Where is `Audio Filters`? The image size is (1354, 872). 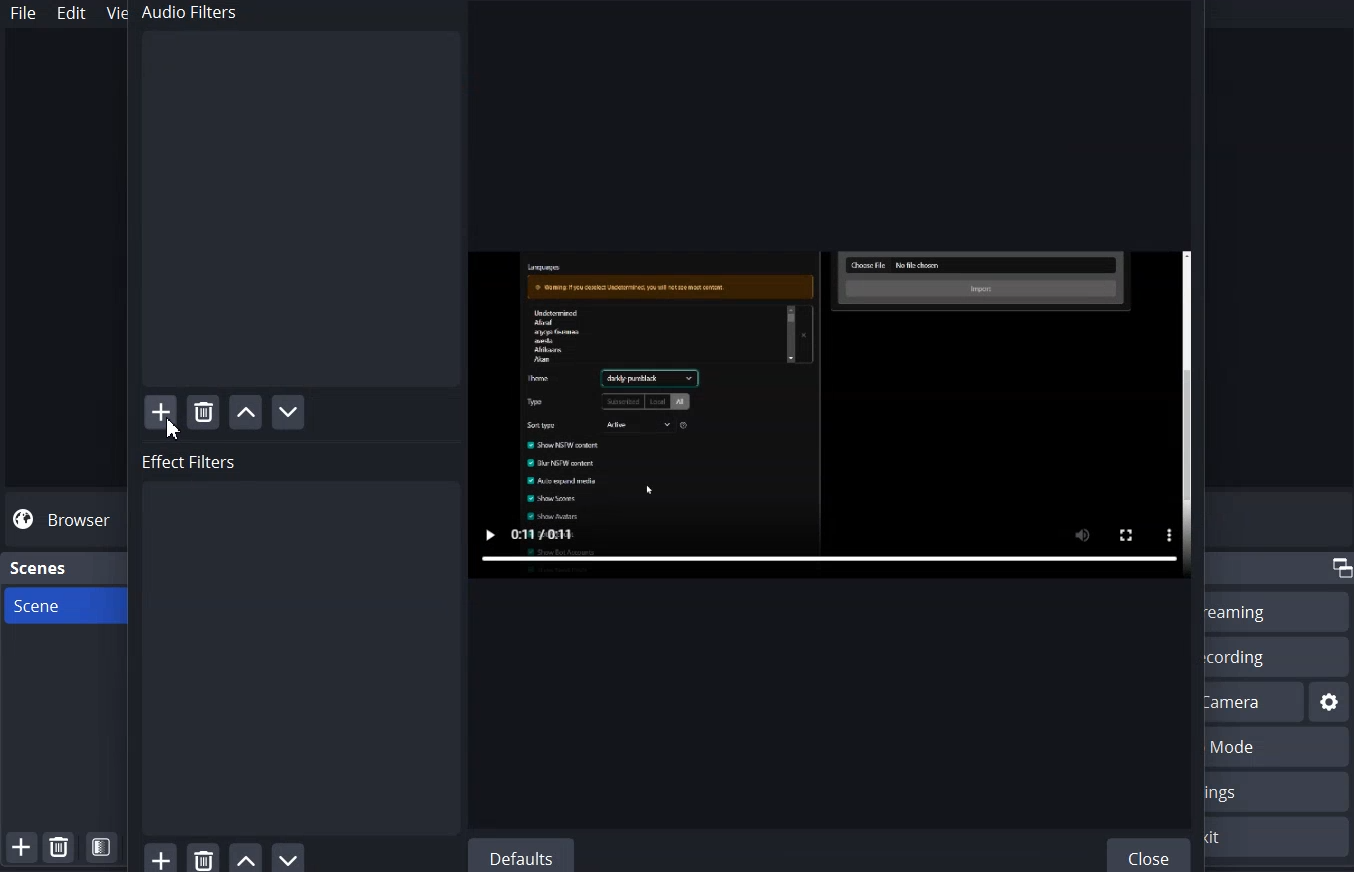 Audio Filters is located at coordinates (297, 196).